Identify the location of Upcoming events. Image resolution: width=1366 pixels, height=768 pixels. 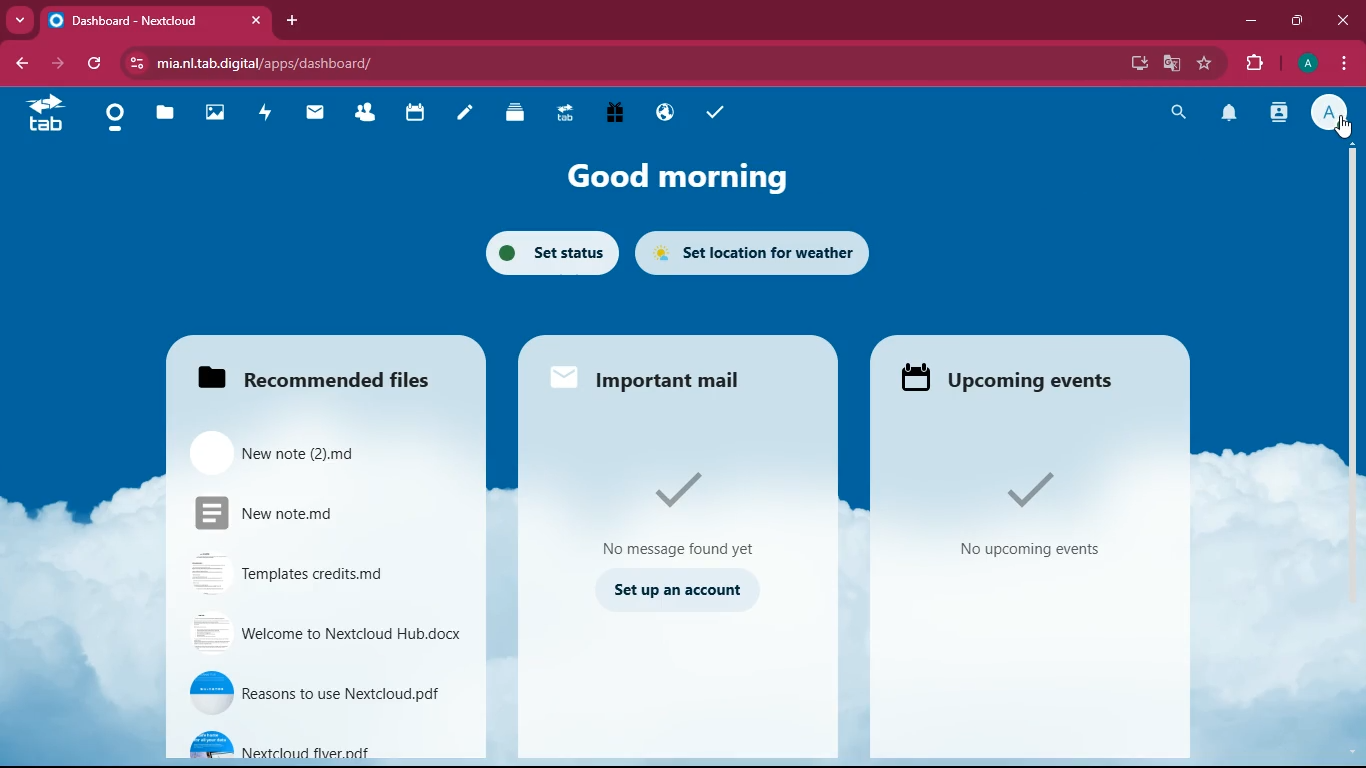
(1020, 379).